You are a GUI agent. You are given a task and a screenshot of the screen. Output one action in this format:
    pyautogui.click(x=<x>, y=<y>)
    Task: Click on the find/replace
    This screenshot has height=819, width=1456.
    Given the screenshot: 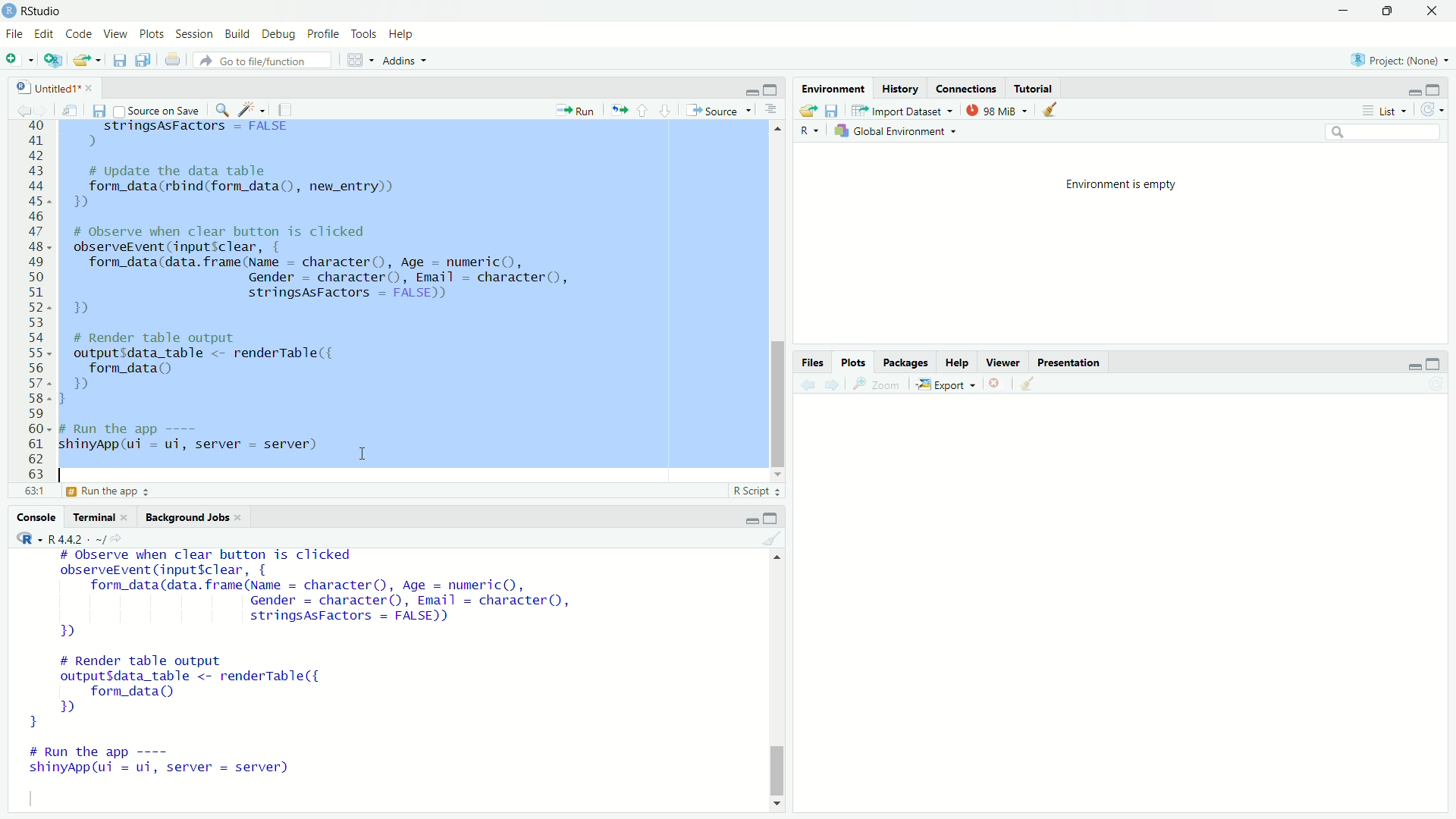 What is the action you would take?
    pyautogui.click(x=220, y=108)
    